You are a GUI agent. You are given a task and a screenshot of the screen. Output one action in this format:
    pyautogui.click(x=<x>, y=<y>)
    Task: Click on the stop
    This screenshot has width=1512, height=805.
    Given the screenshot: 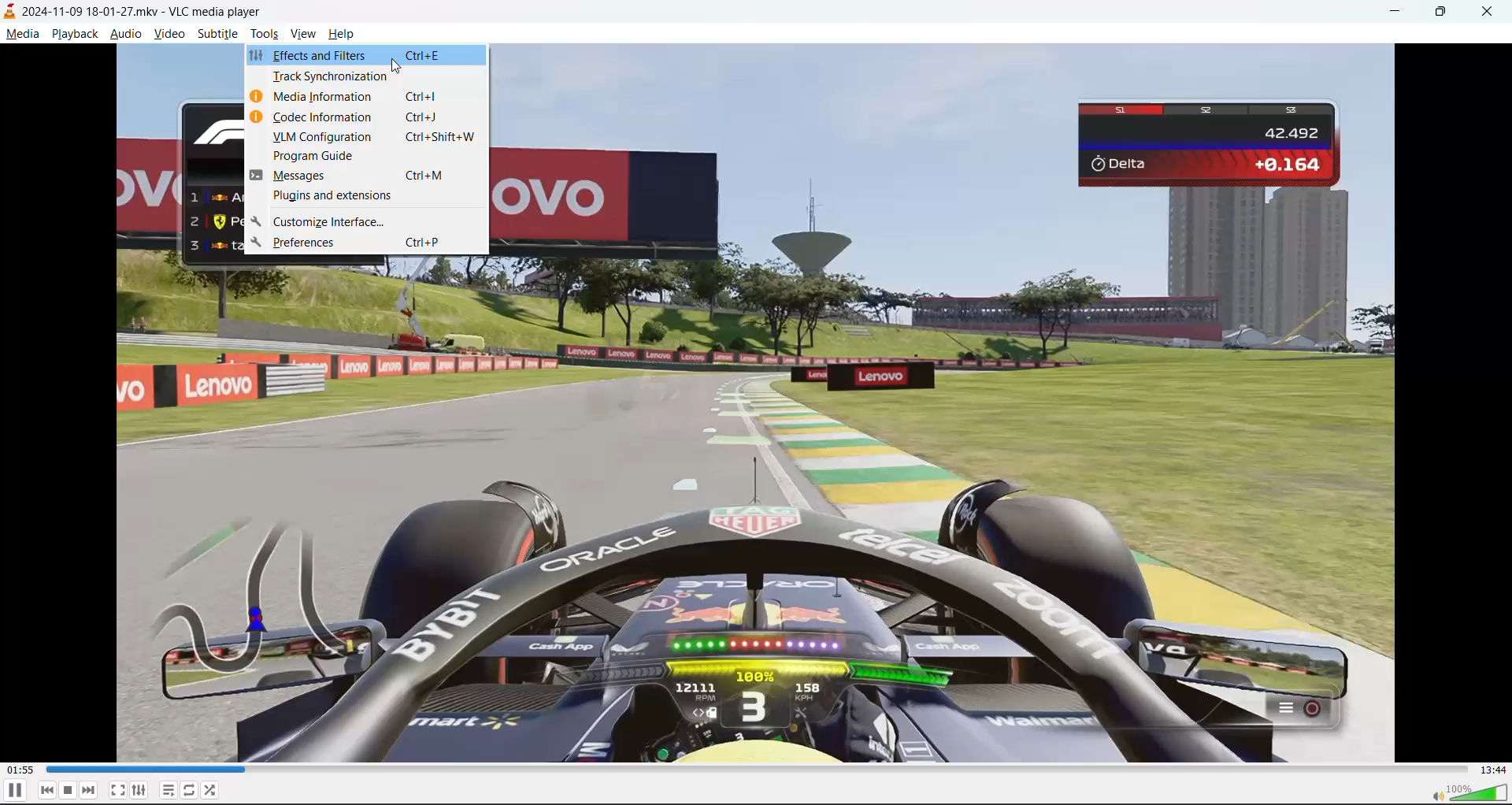 What is the action you would take?
    pyautogui.click(x=69, y=790)
    